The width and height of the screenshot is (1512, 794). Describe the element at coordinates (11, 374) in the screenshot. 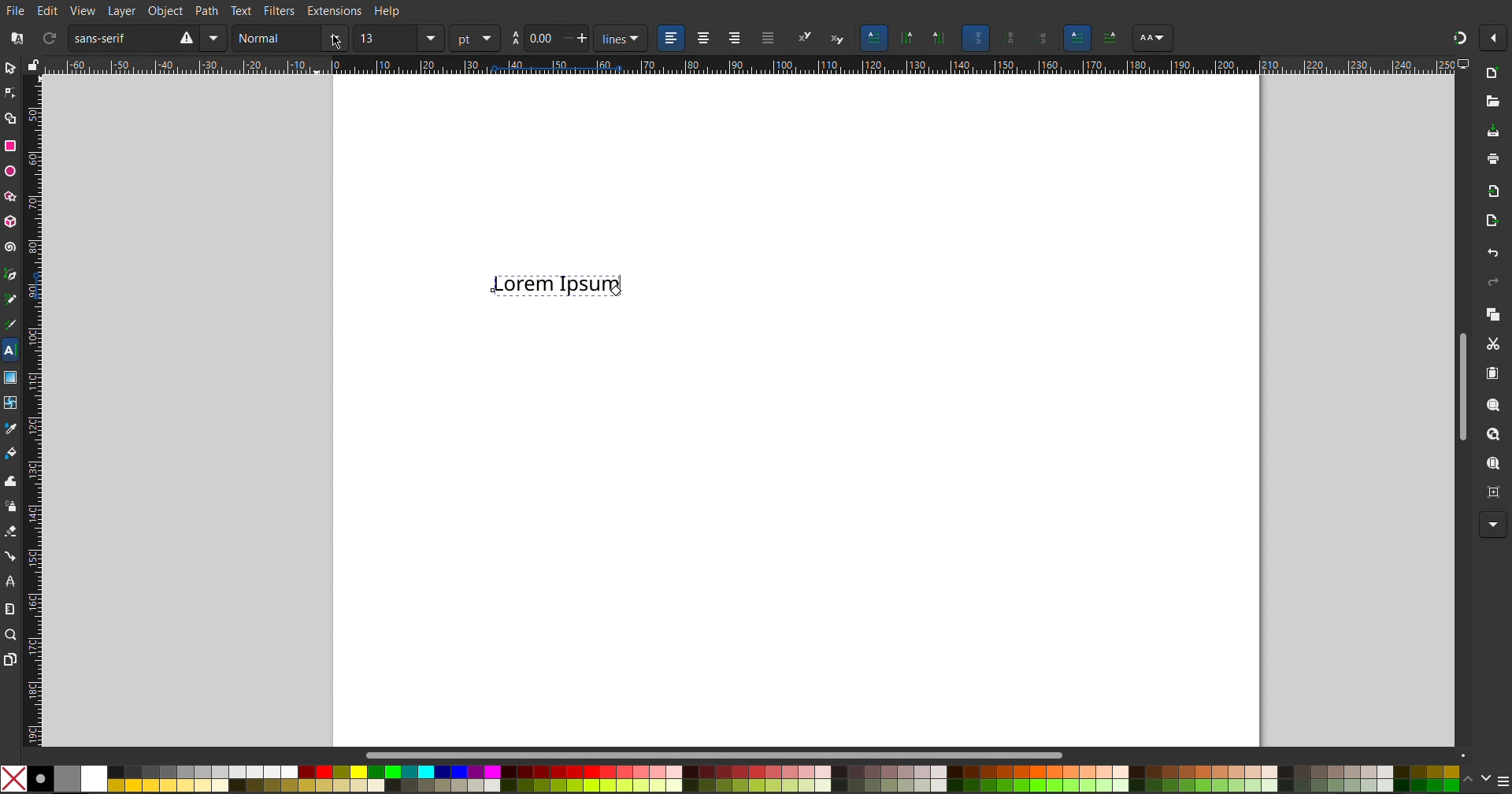

I see `Gradient Tool` at that location.